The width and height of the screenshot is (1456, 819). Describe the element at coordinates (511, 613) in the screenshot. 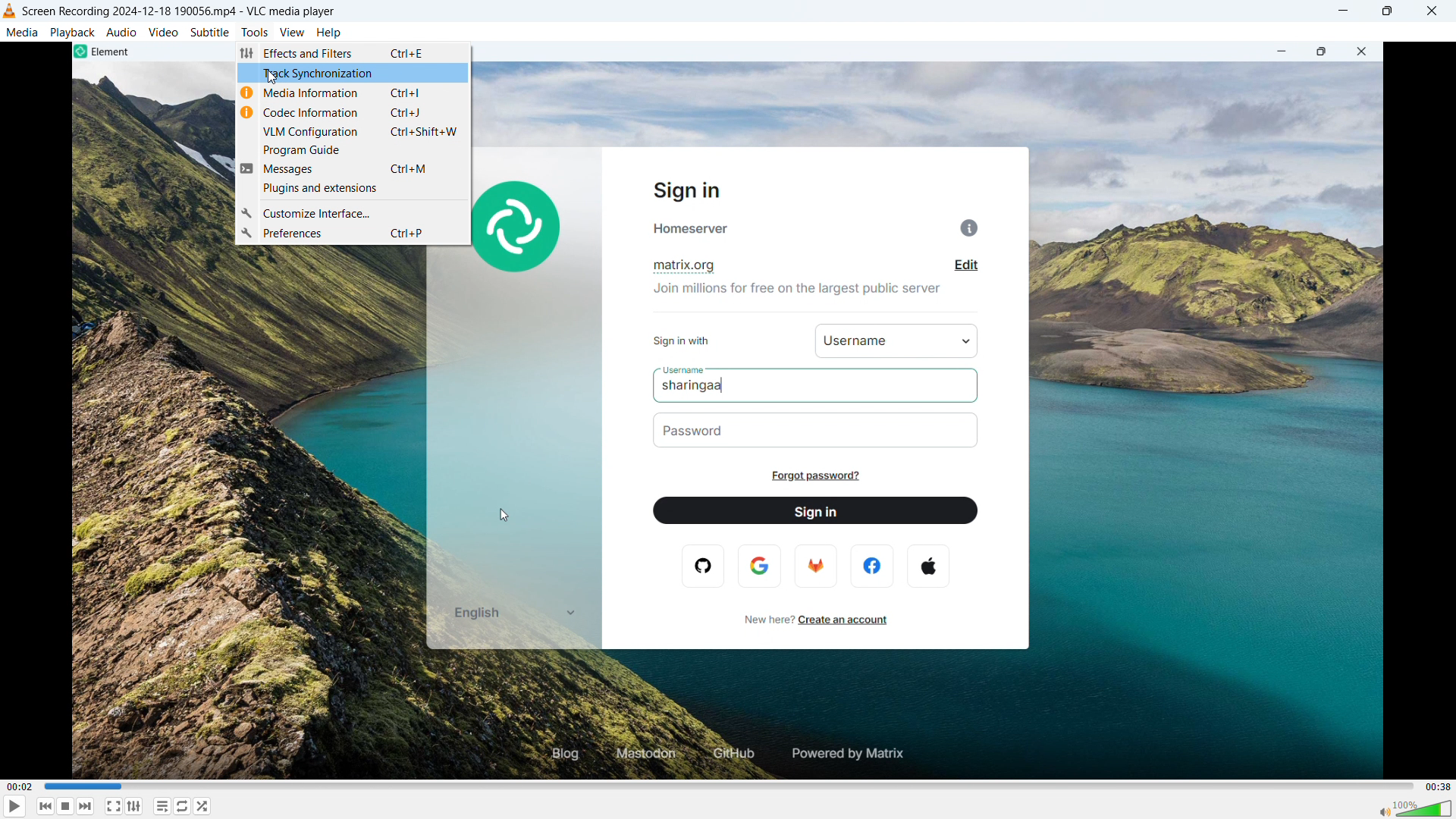

I see `english` at that location.